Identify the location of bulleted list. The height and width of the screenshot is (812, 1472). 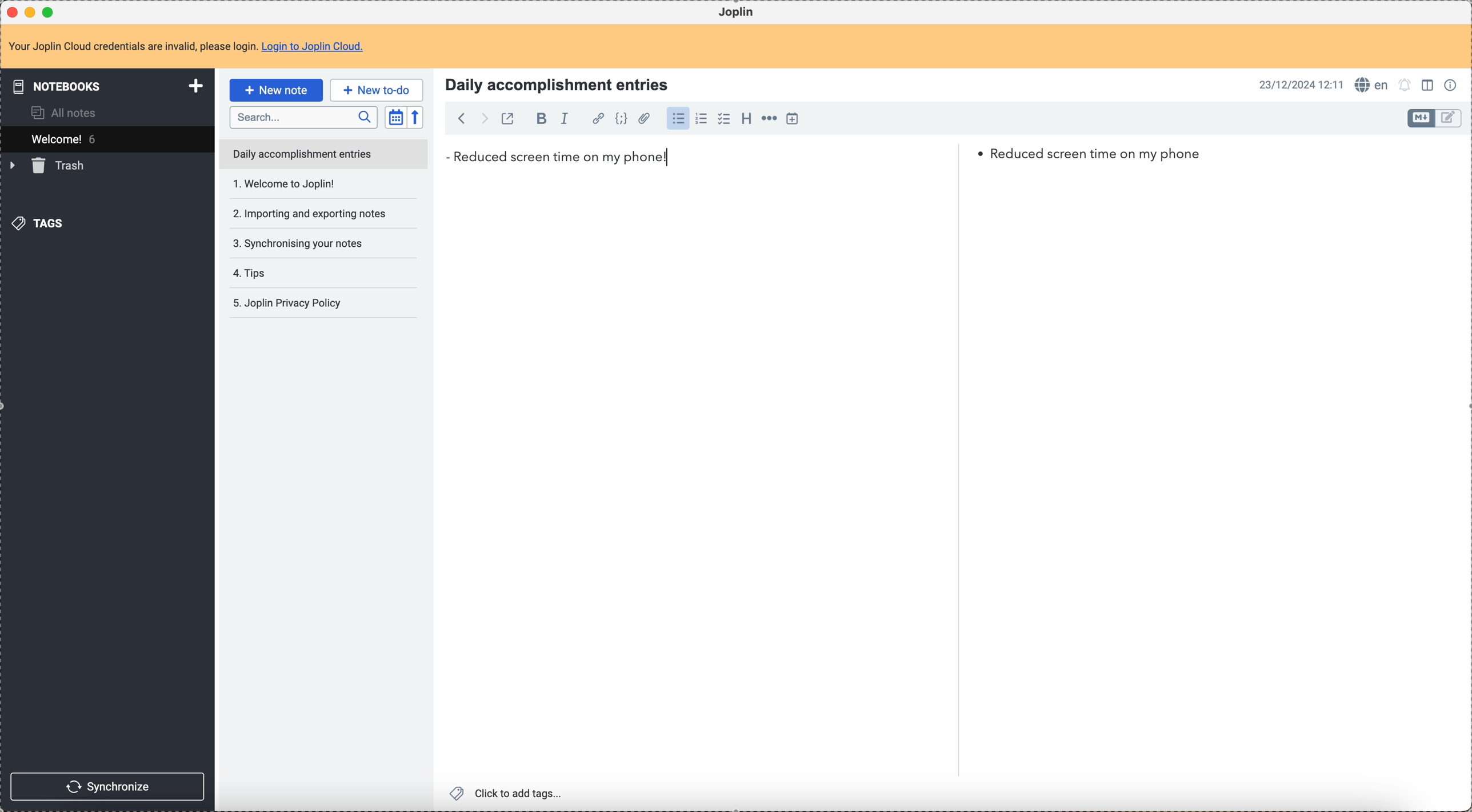
(678, 120).